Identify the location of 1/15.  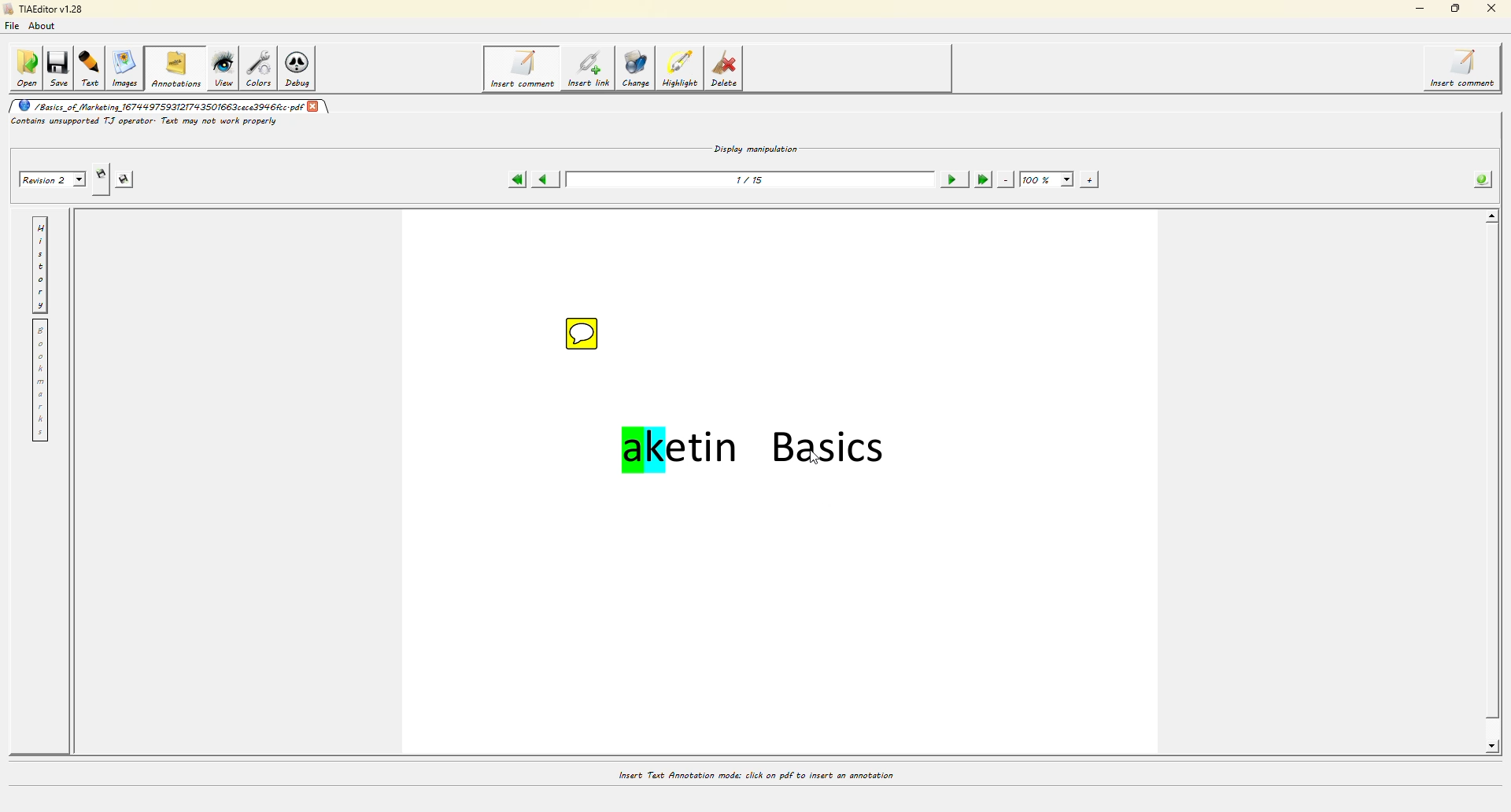
(752, 179).